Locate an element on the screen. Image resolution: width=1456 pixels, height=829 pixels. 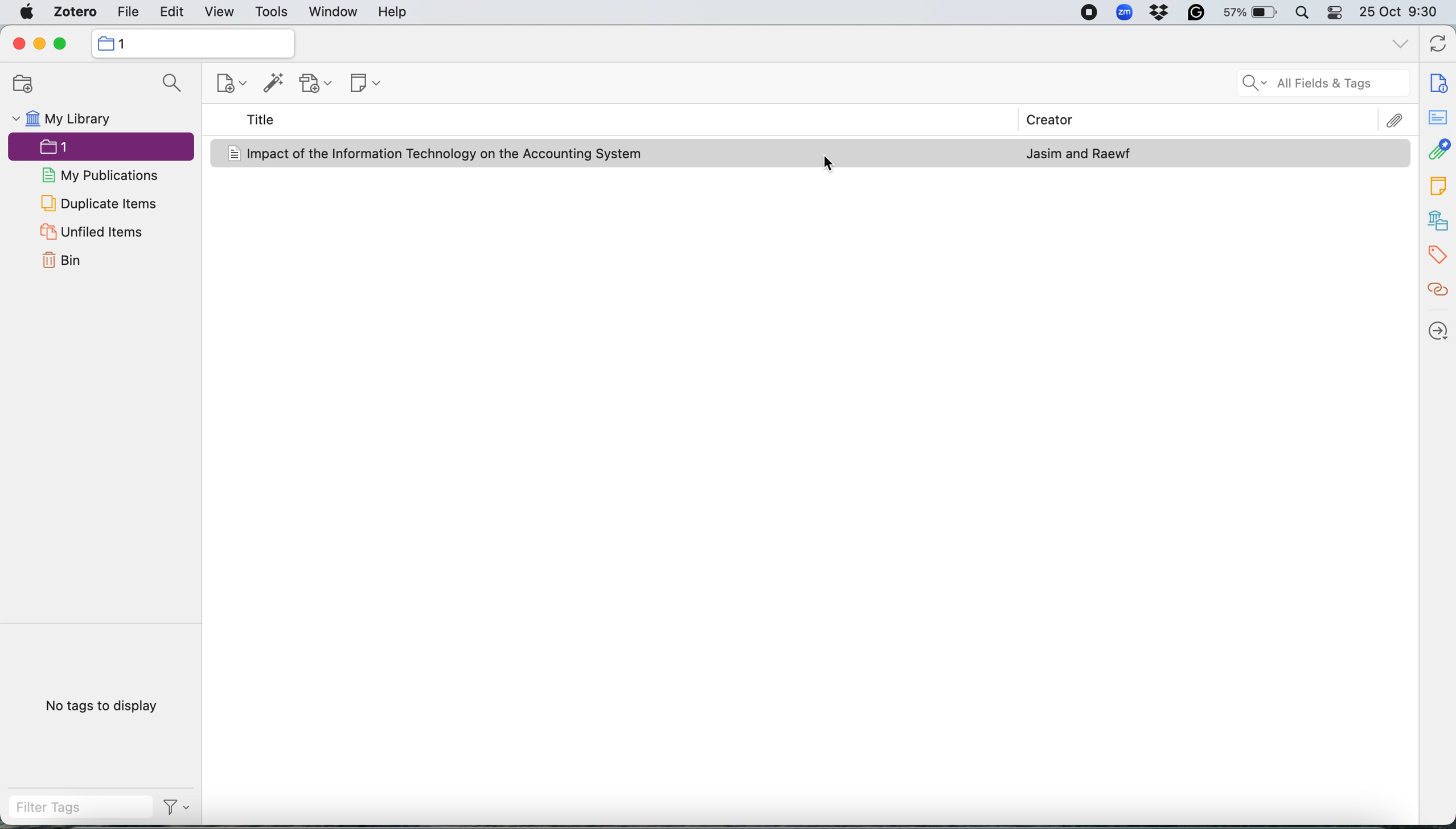
help is located at coordinates (396, 12).